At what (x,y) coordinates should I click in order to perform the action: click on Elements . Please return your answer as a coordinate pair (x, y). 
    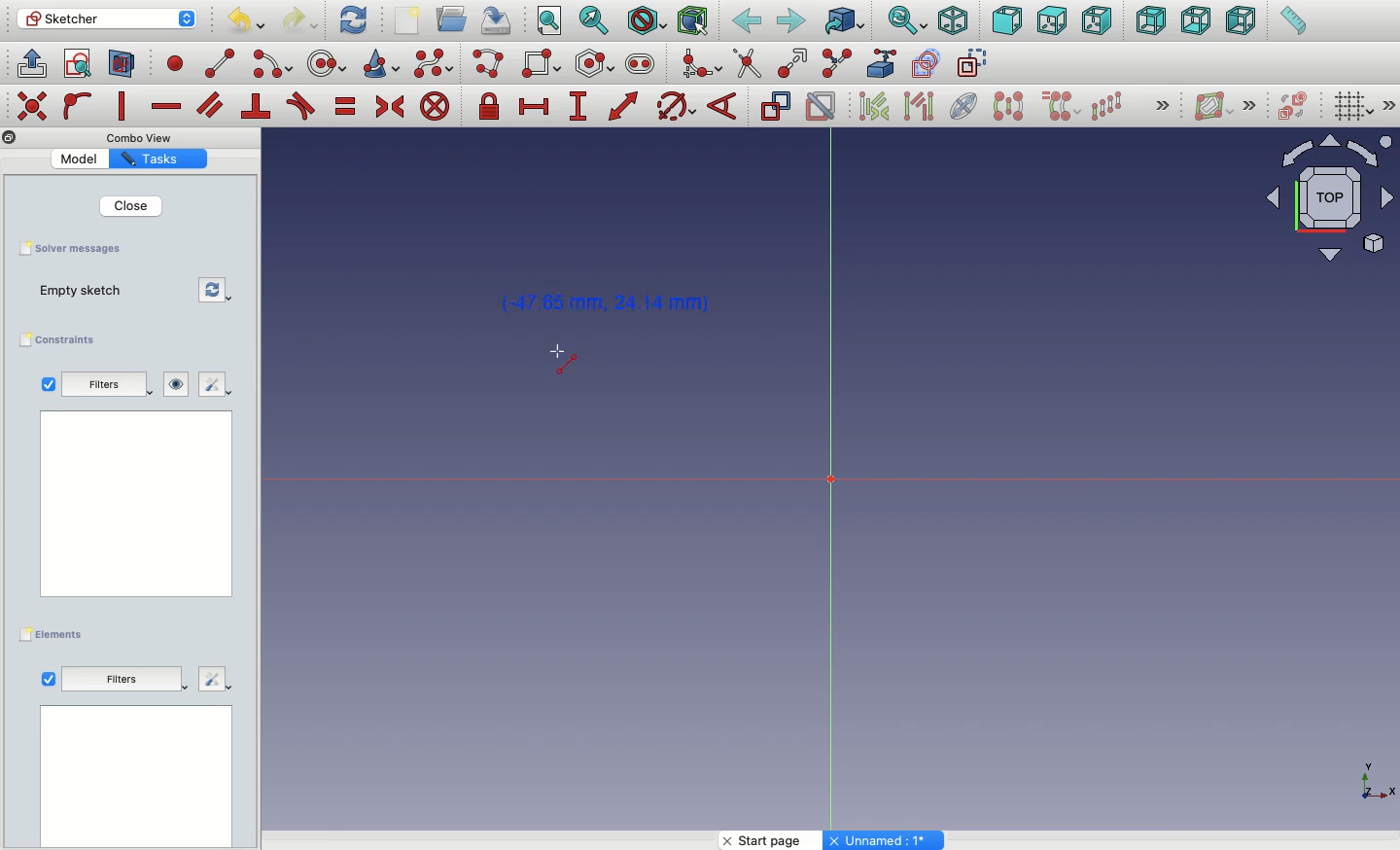
    Looking at the image, I should click on (55, 633).